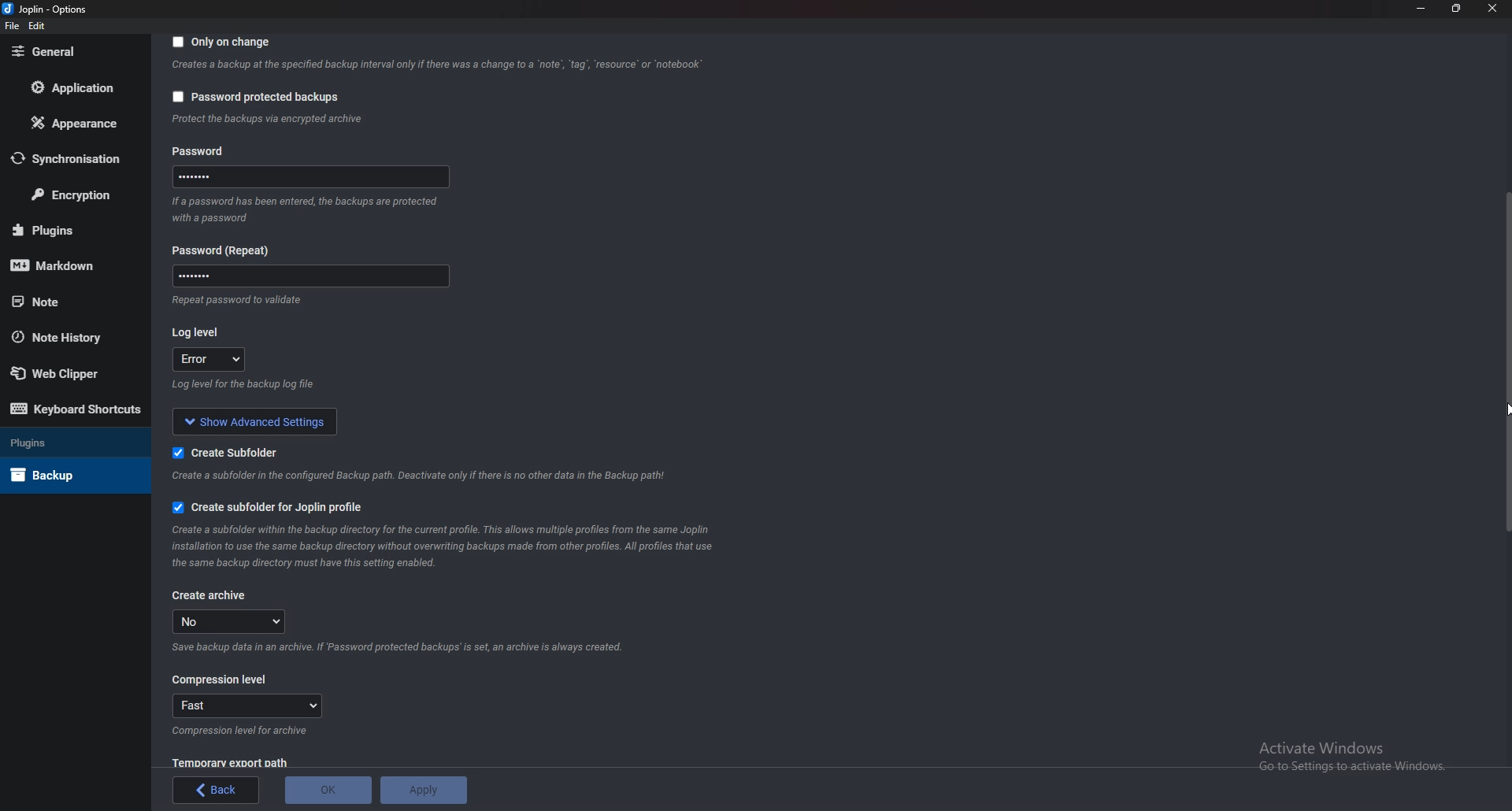 This screenshot has width=1512, height=811. What do you see at coordinates (217, 790) in the screenshot?
I see `back` at bounding box center [217, 790].